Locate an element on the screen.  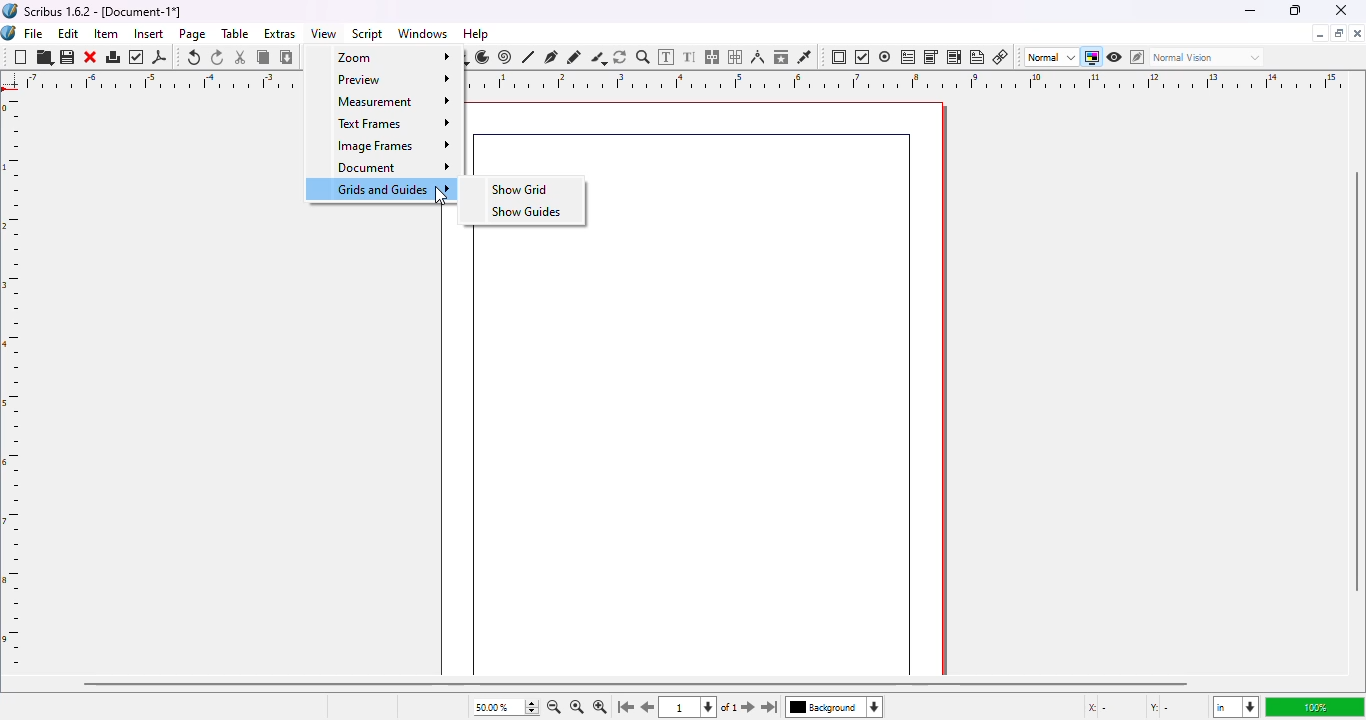
item is located at coordinates (107, 34).